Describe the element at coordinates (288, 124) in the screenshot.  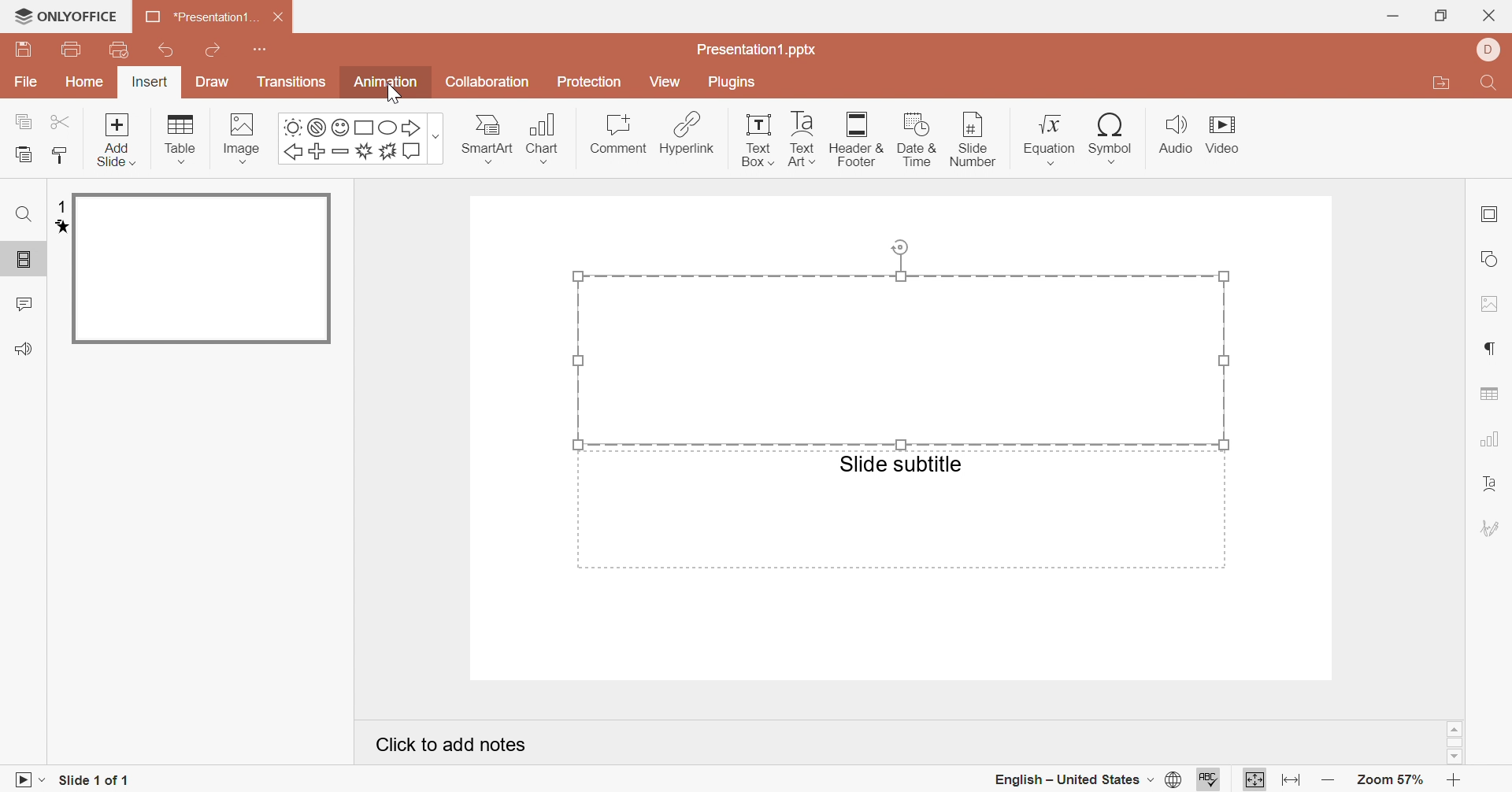
I see `sun` at that location.